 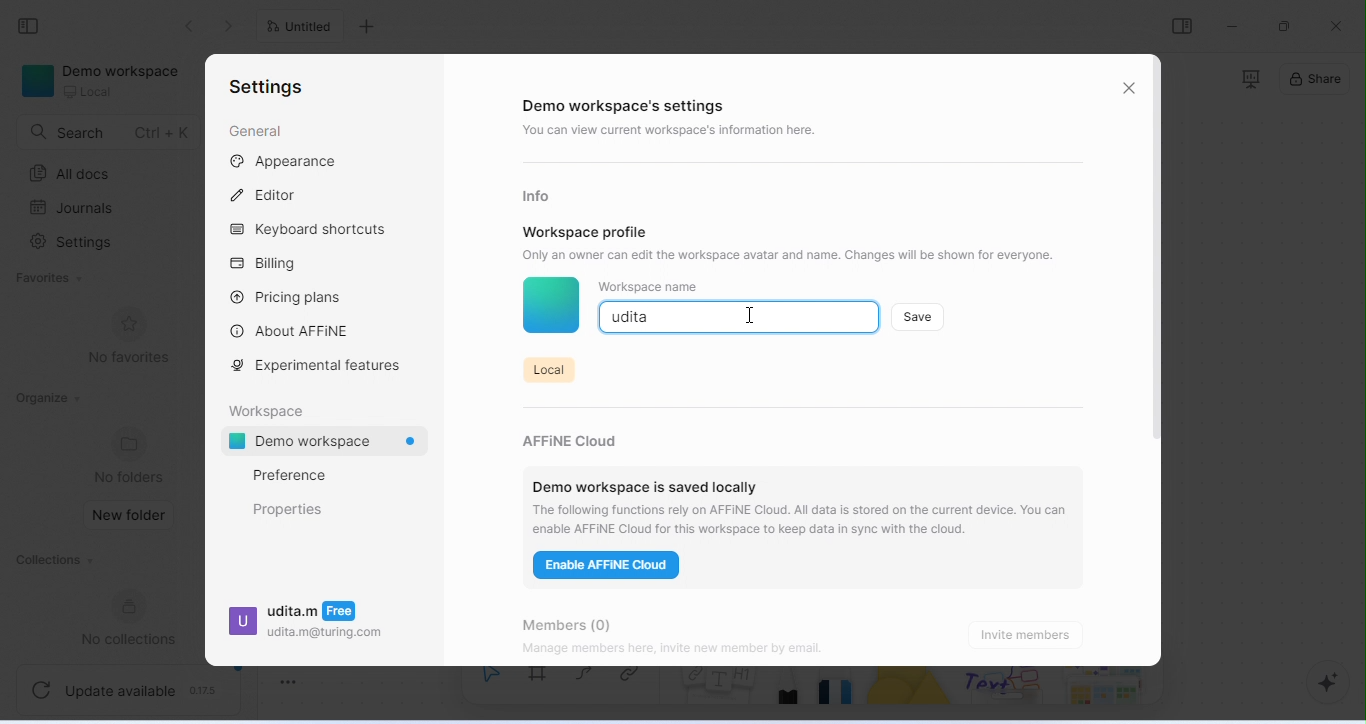 I want to click on you can view current workspace's information here, so click(x=674, y=132).